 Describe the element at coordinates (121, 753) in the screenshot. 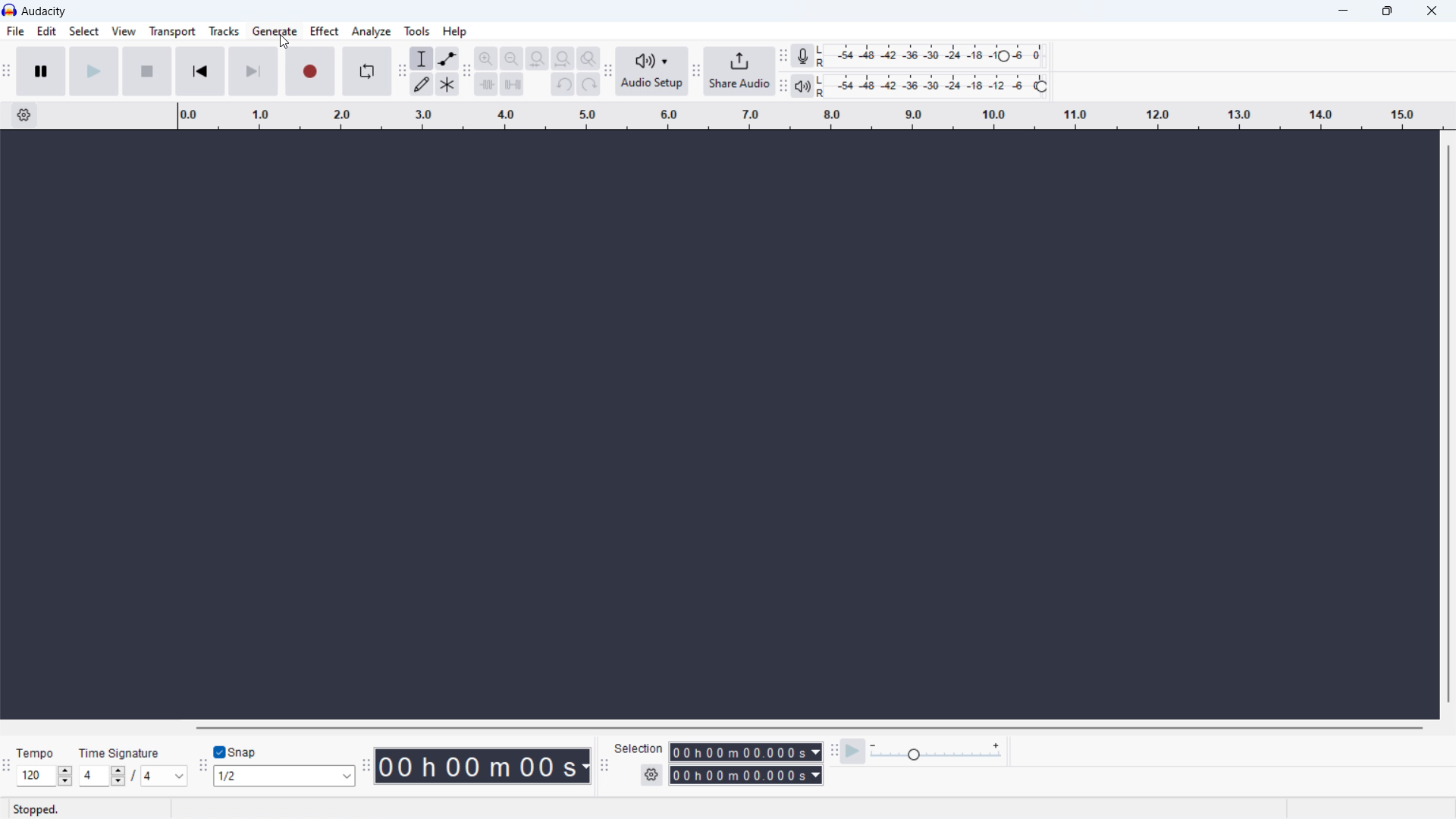

I see `Time signature` at that location.